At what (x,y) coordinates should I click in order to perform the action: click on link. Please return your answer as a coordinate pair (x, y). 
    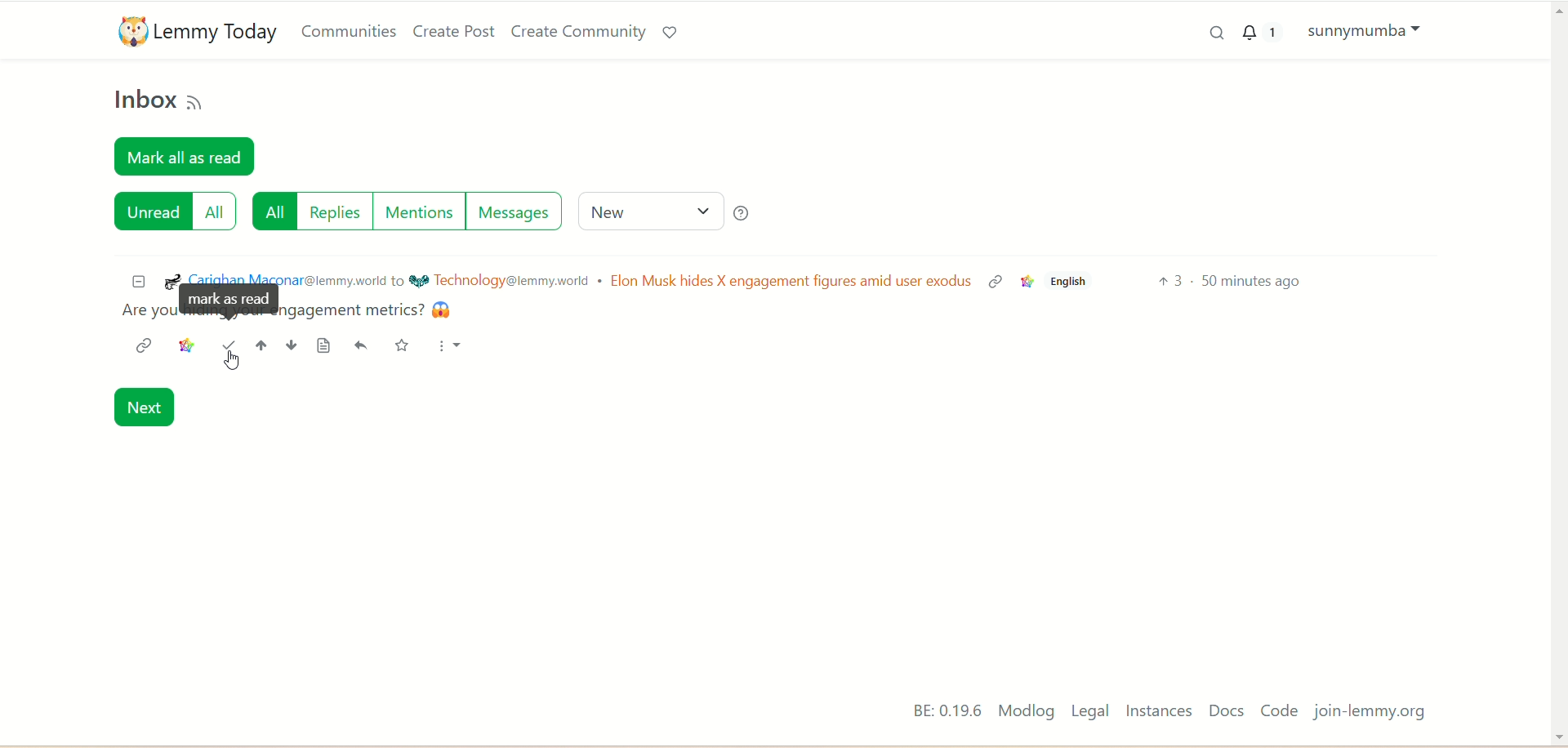
    Looking at the image, I should click on (997, 283).